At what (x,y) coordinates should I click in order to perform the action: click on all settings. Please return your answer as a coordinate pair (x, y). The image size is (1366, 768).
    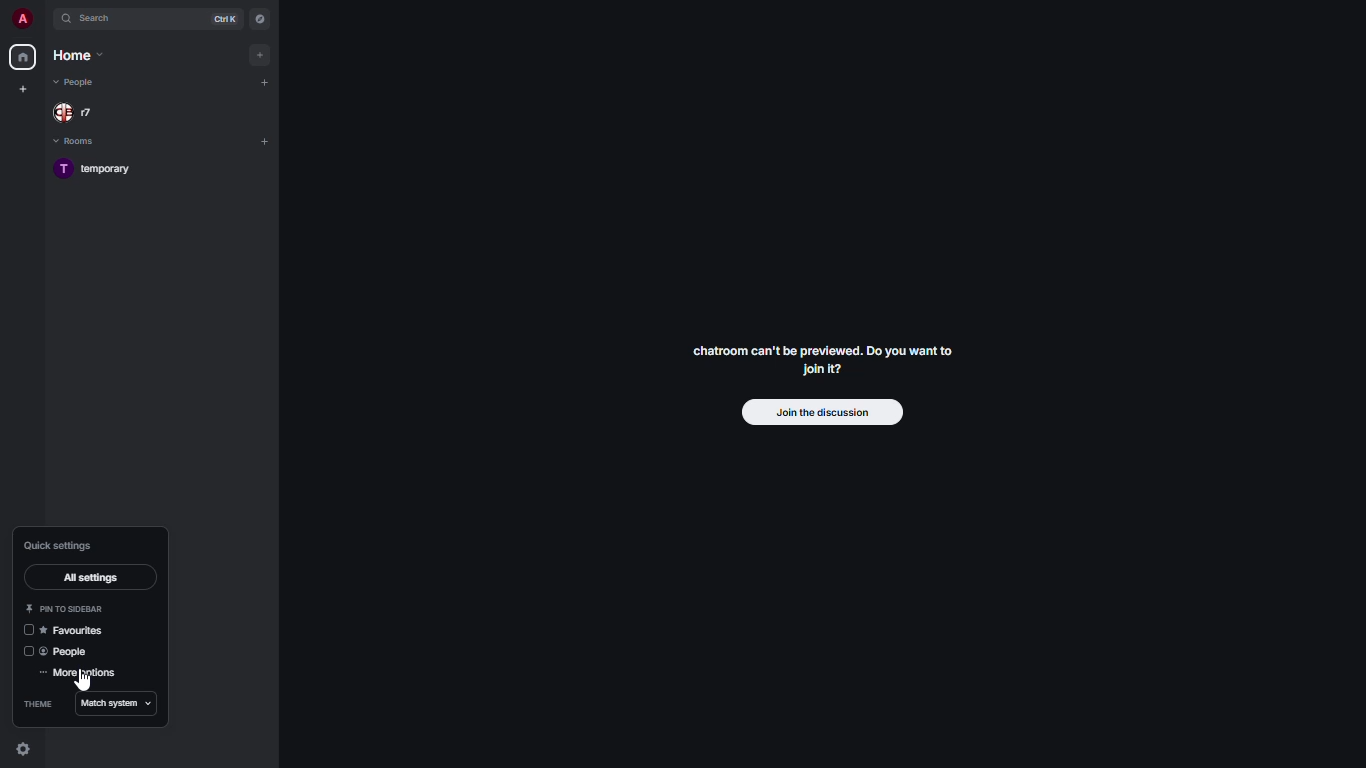
    Looking at the image, I should click on (94, 575).